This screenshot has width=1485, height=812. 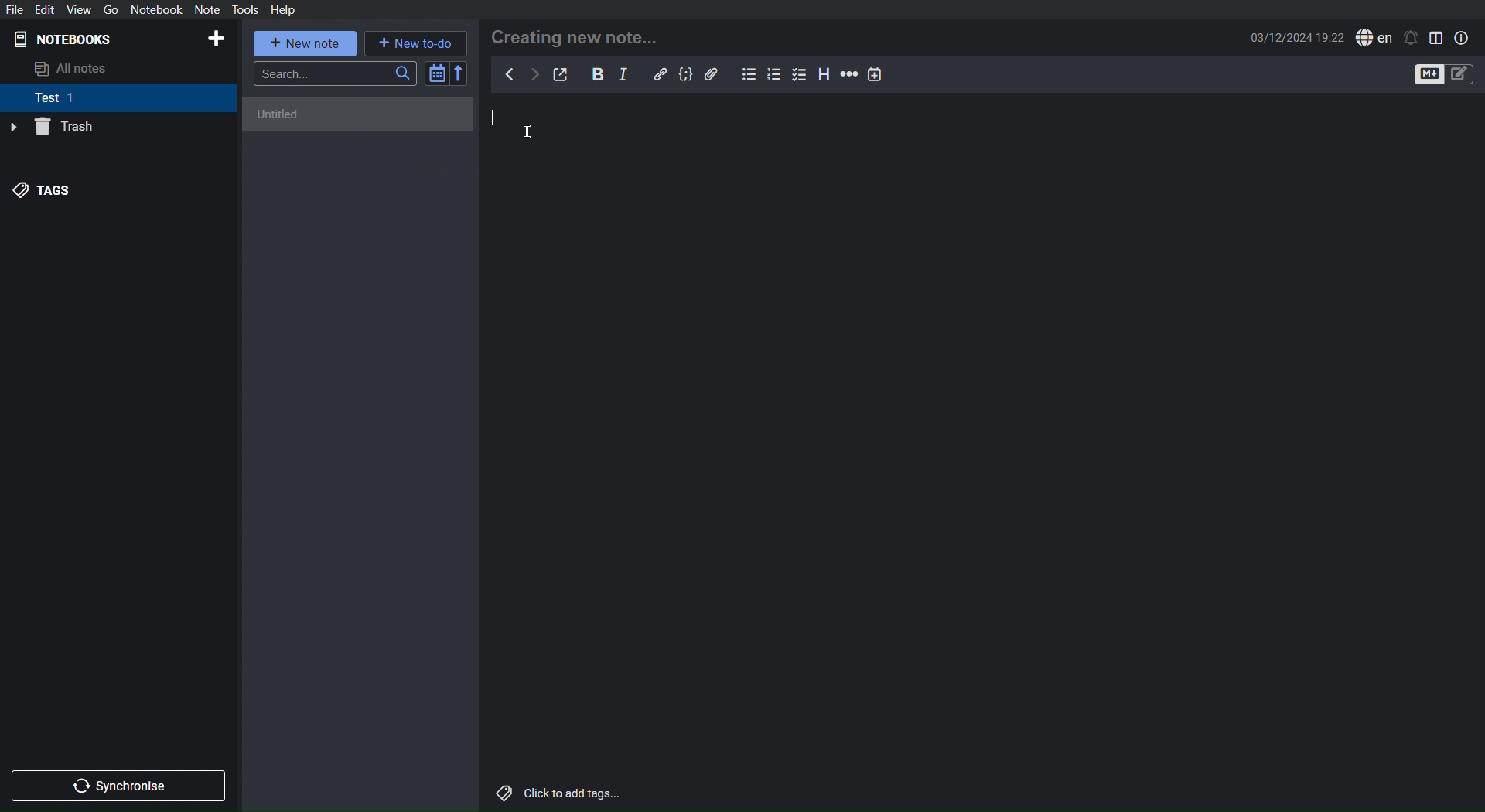 I want to click on Next, so click(x=533, y=73).